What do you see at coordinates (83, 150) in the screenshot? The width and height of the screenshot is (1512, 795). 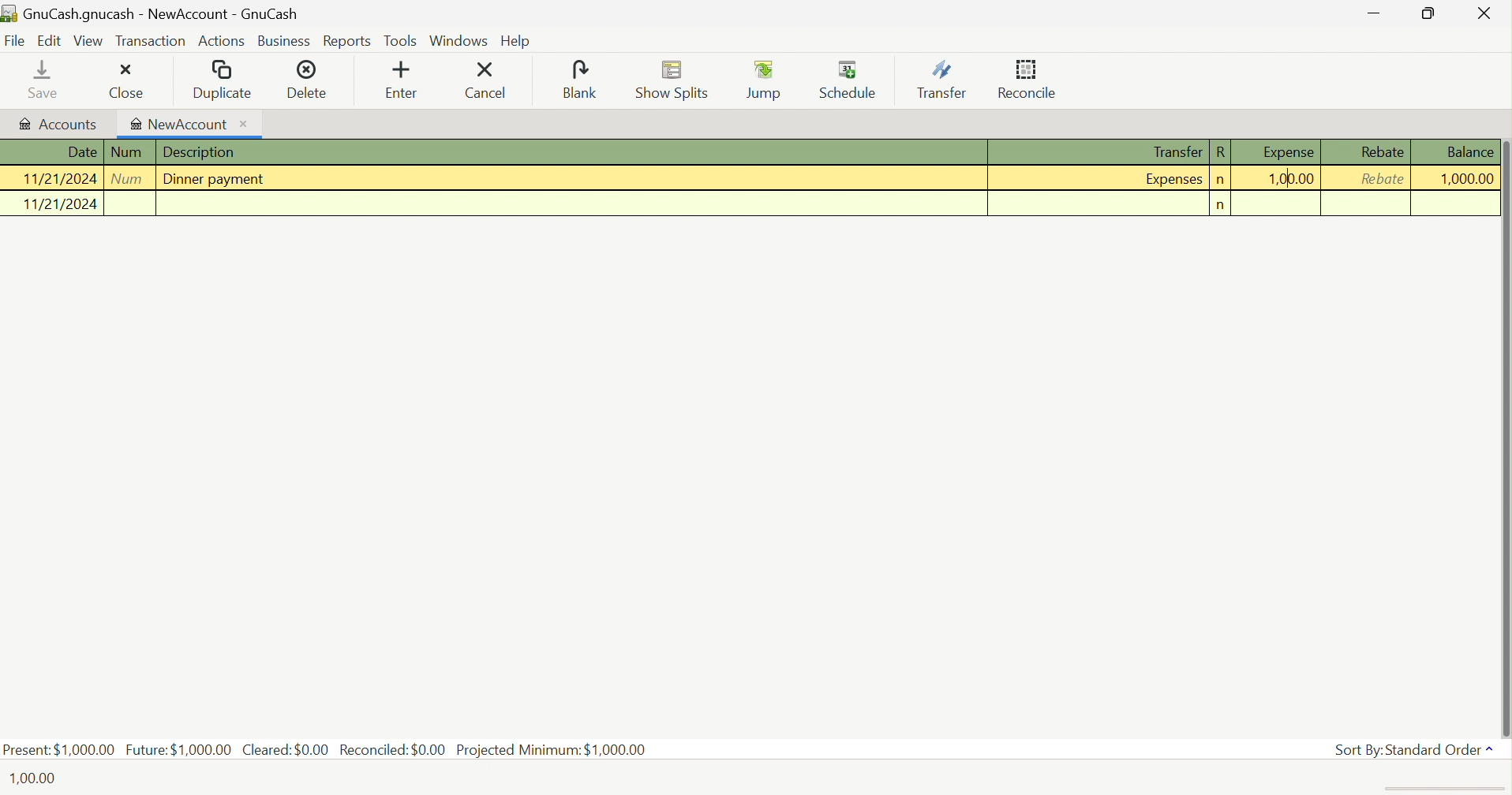 I see `` at bounding box center [83, 150].